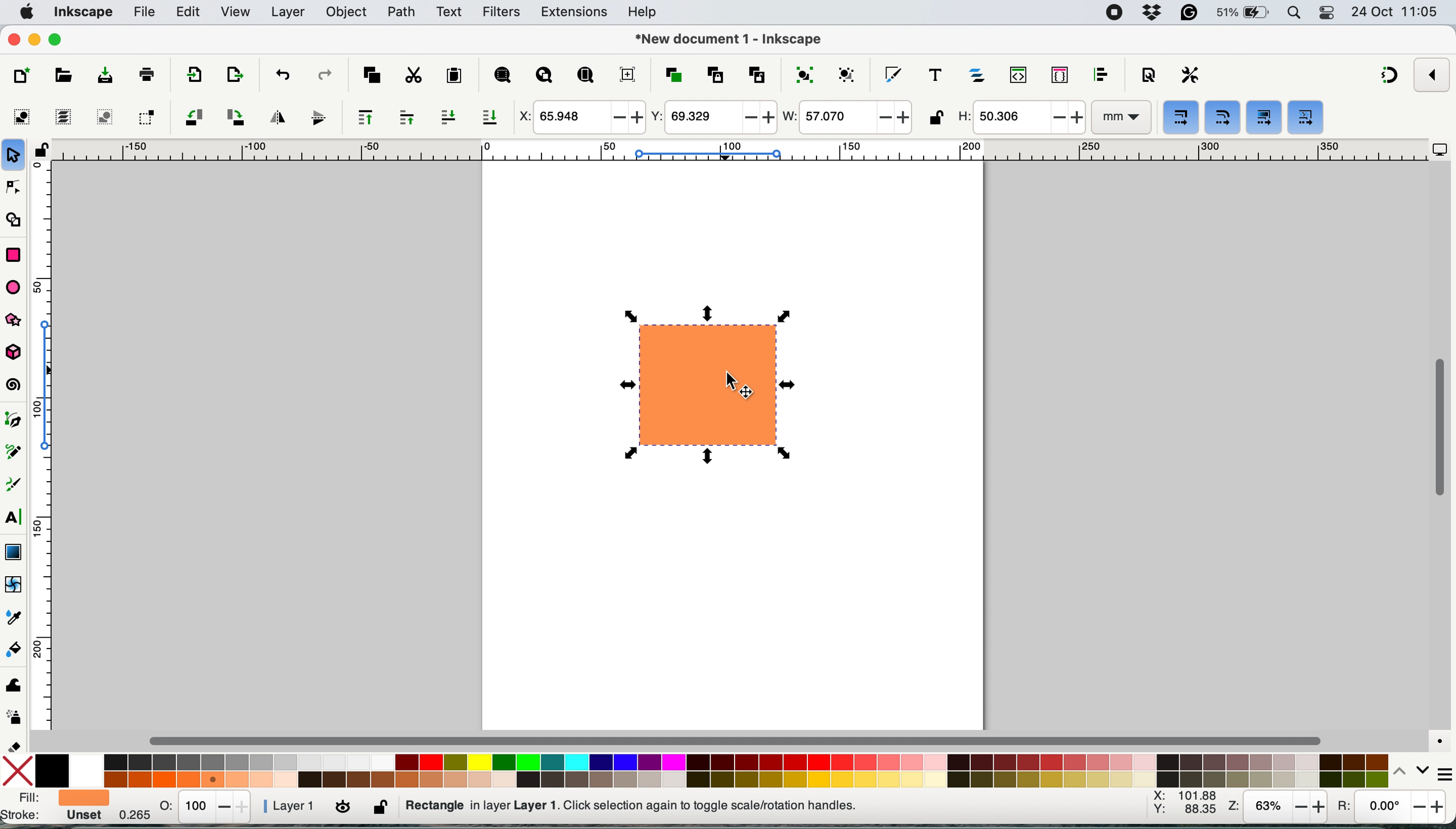 The height and width of the screenshot is (829, 1456). I want to click on no objects selected, so click(704, 806).